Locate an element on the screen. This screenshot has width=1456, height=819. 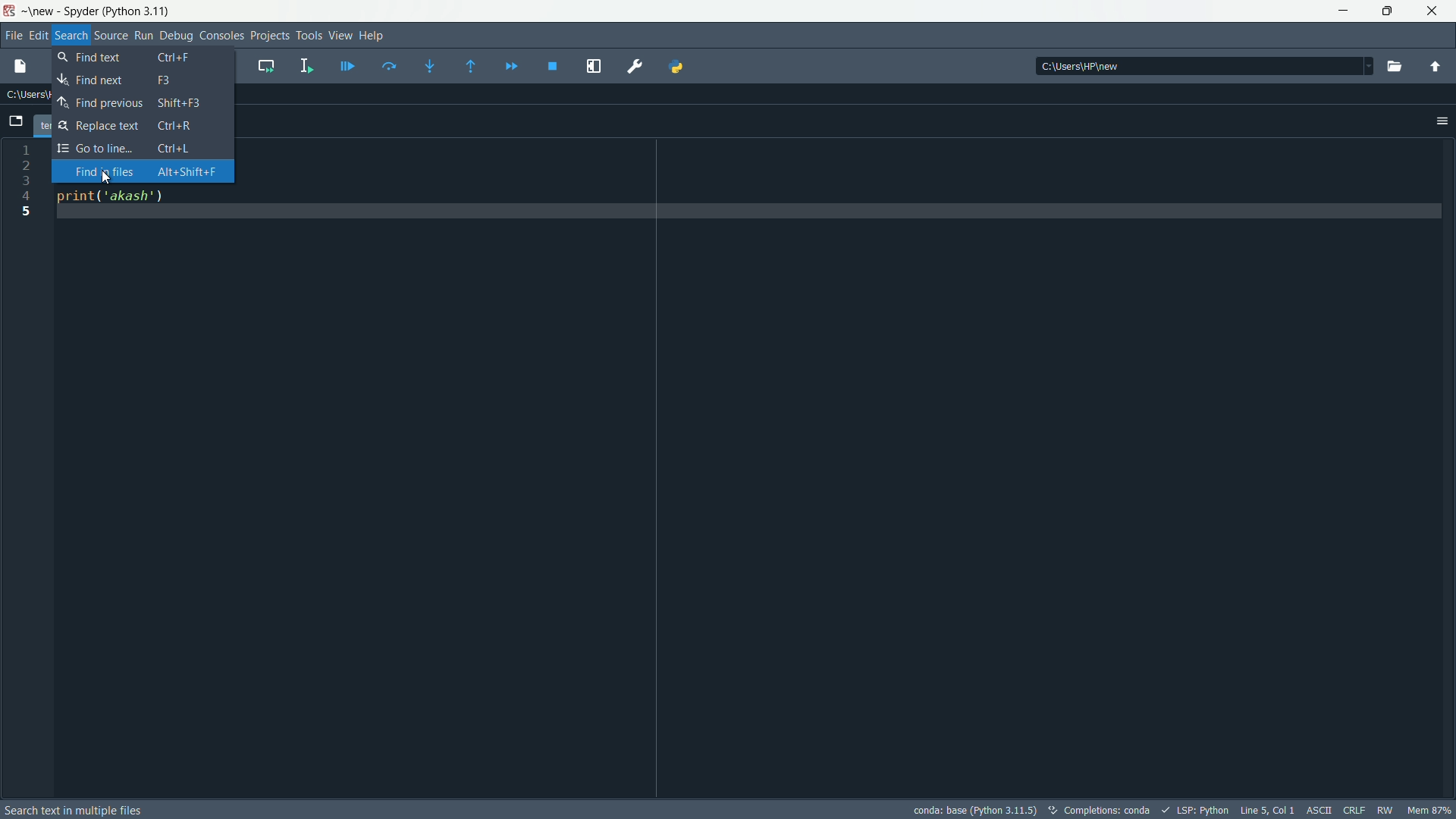
help menu is located at coordinates (372, 36).